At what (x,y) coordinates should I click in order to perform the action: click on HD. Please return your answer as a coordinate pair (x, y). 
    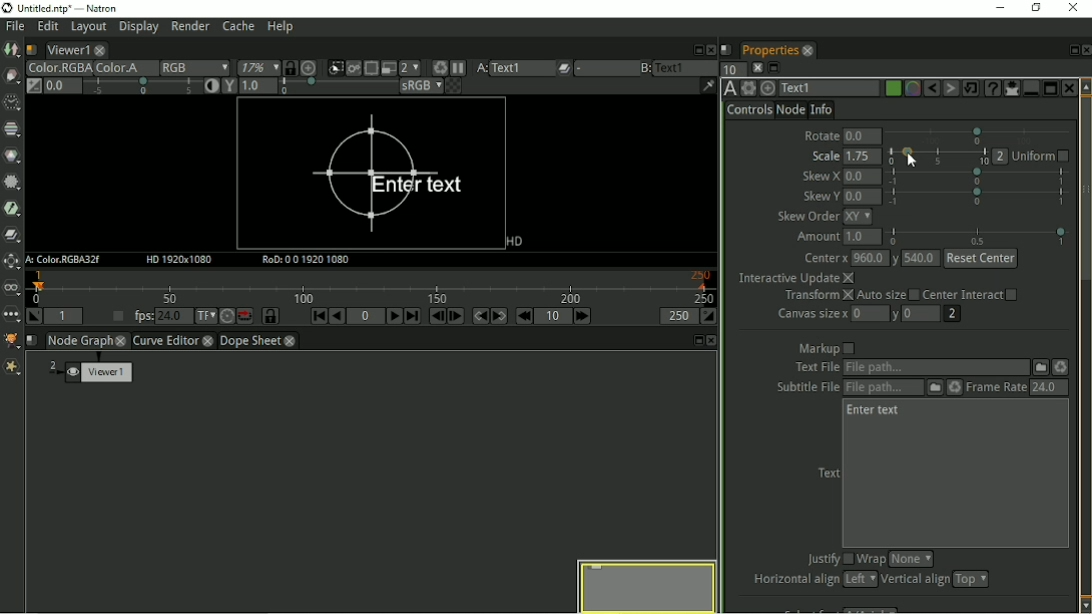
    Looking at the image, I should click on (515, 241).